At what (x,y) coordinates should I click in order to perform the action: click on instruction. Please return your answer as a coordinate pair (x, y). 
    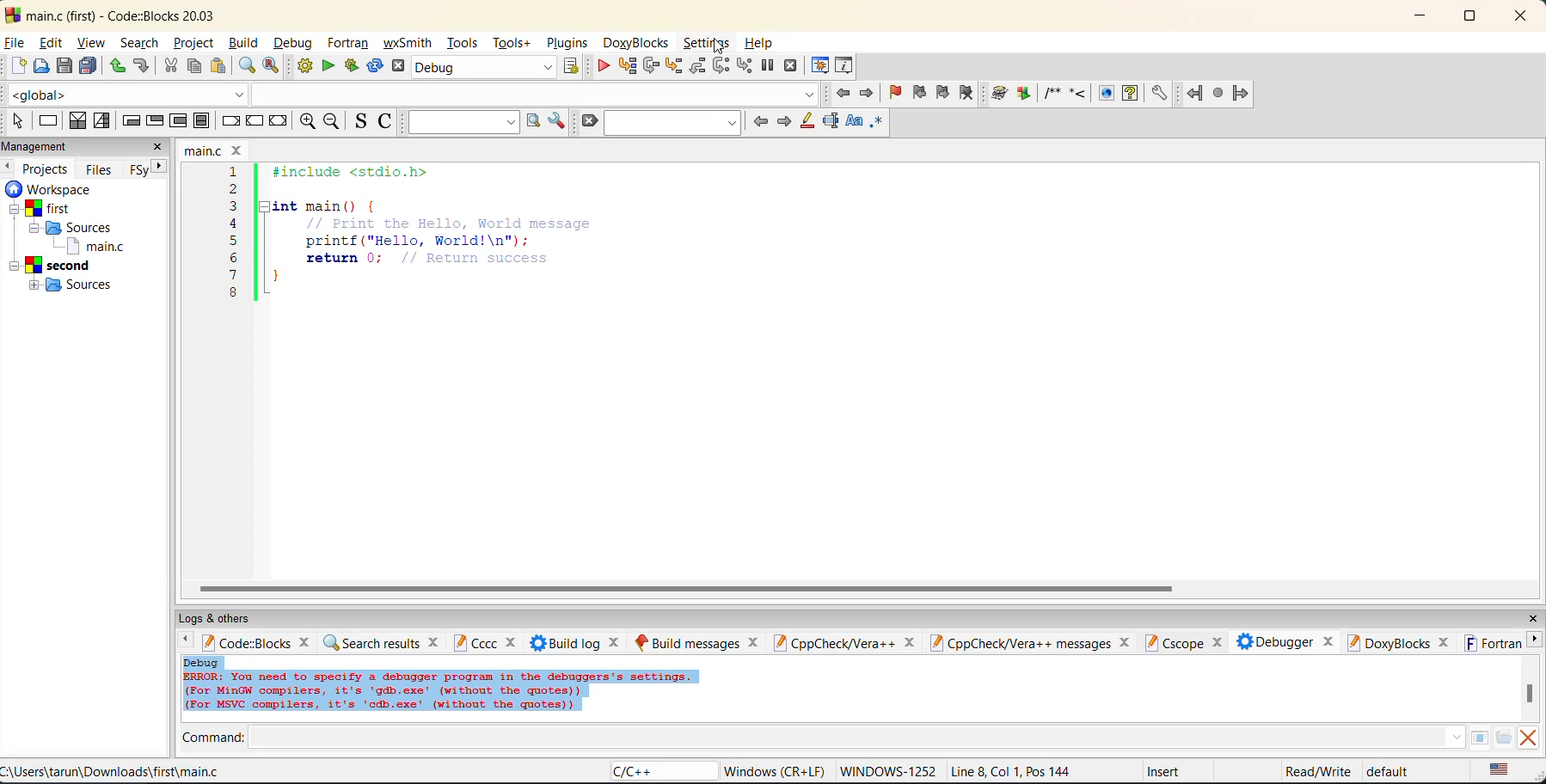
    Looking at the image, I should click on (52, 120).